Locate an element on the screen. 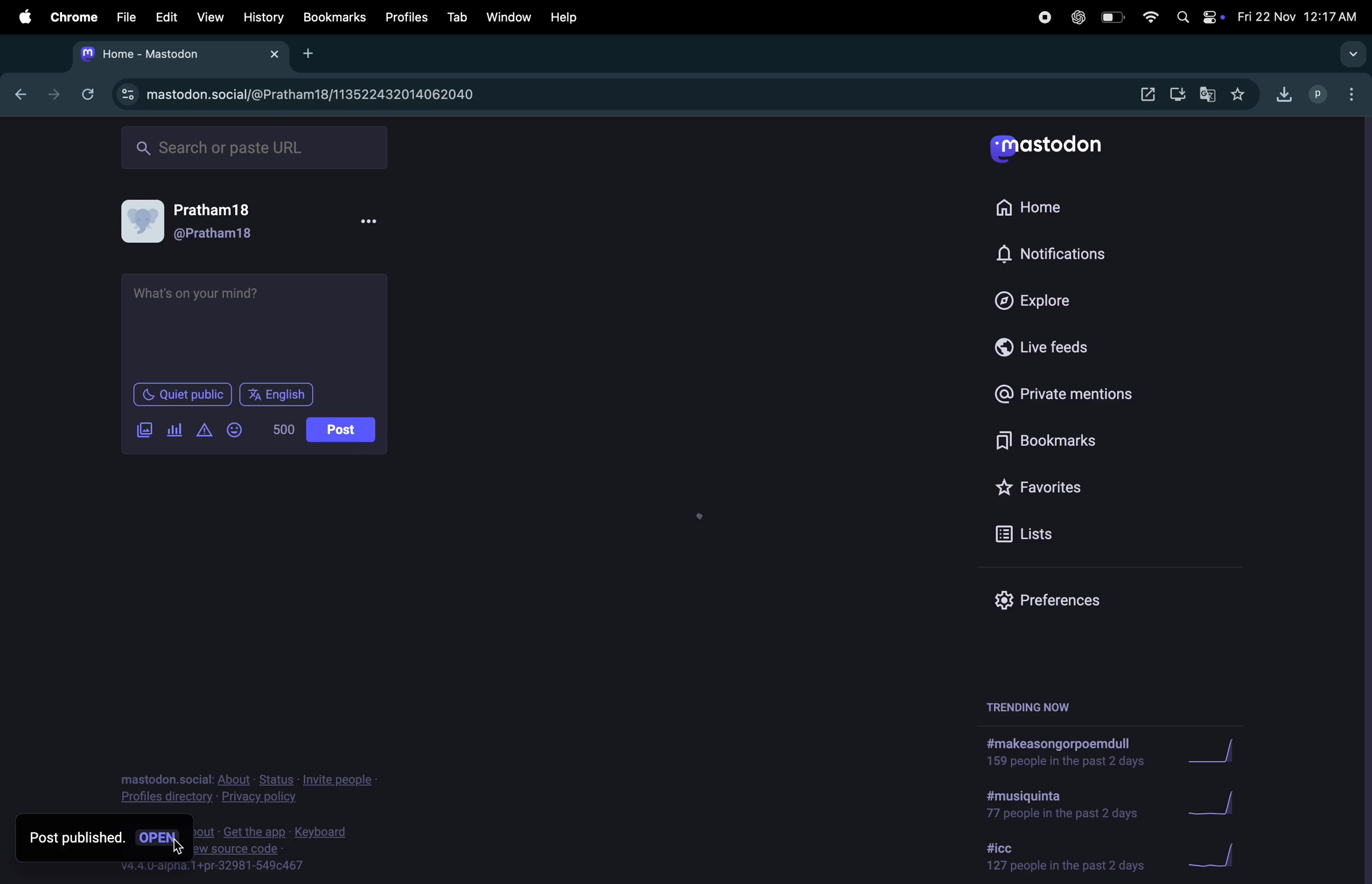 The image size is (1372, 884). post published is located at coordinates (77, 844).